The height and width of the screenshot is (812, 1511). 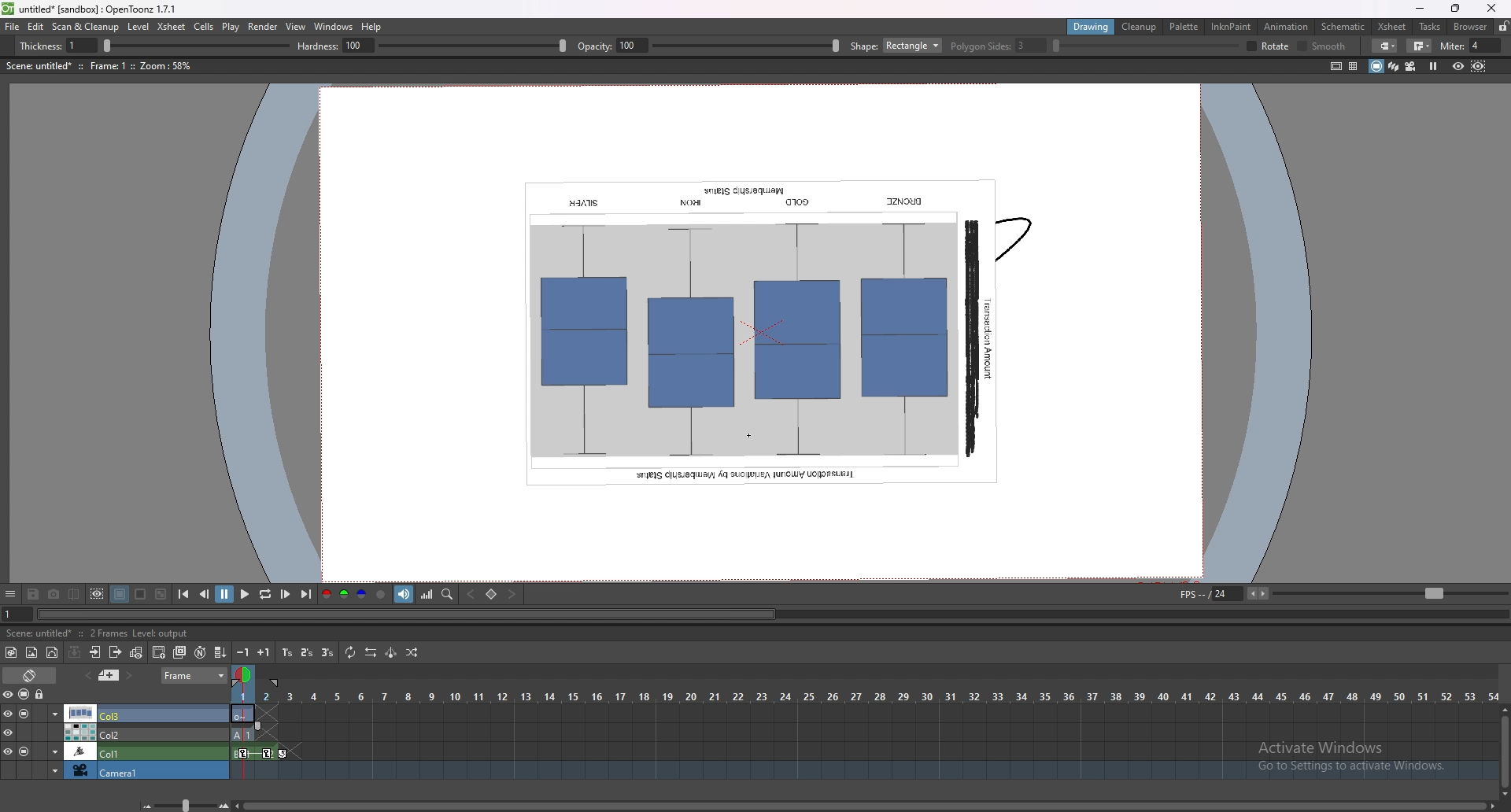 What do you see at coordinates (1081, 46) in the screenshot?
I see `selective` at bounding box center [1081, 46].